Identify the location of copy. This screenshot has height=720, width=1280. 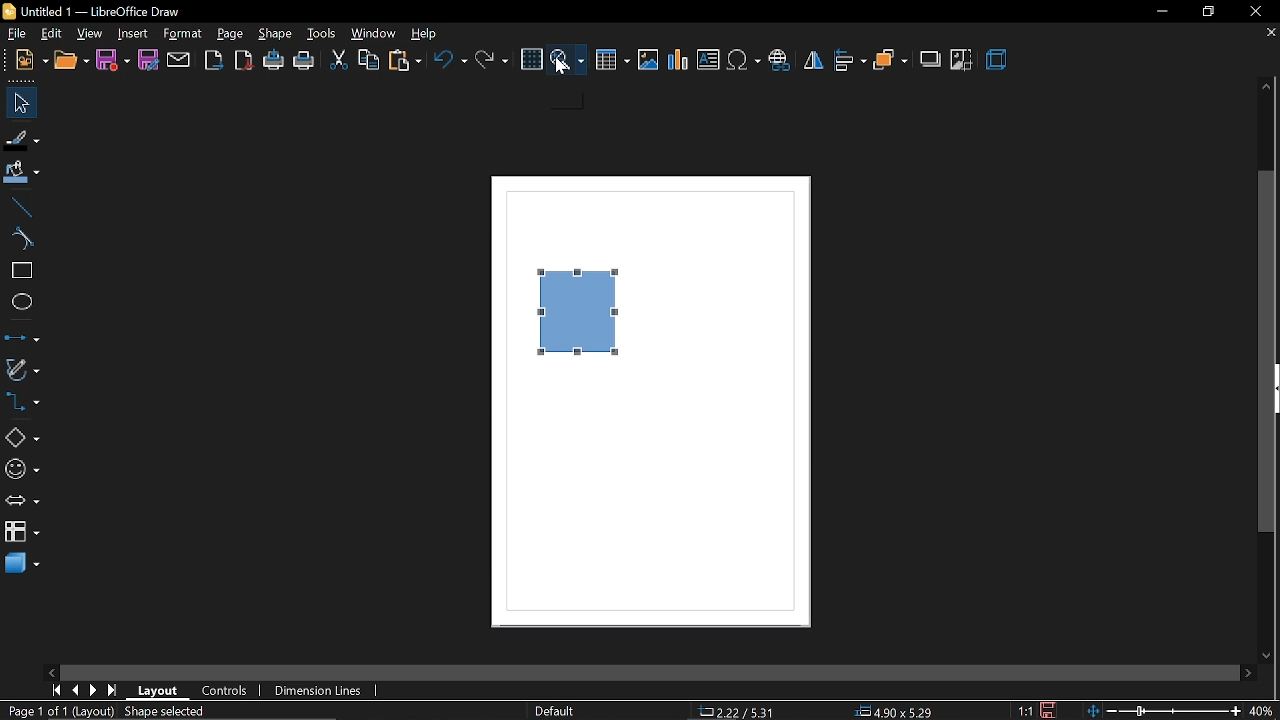
(367, 61).